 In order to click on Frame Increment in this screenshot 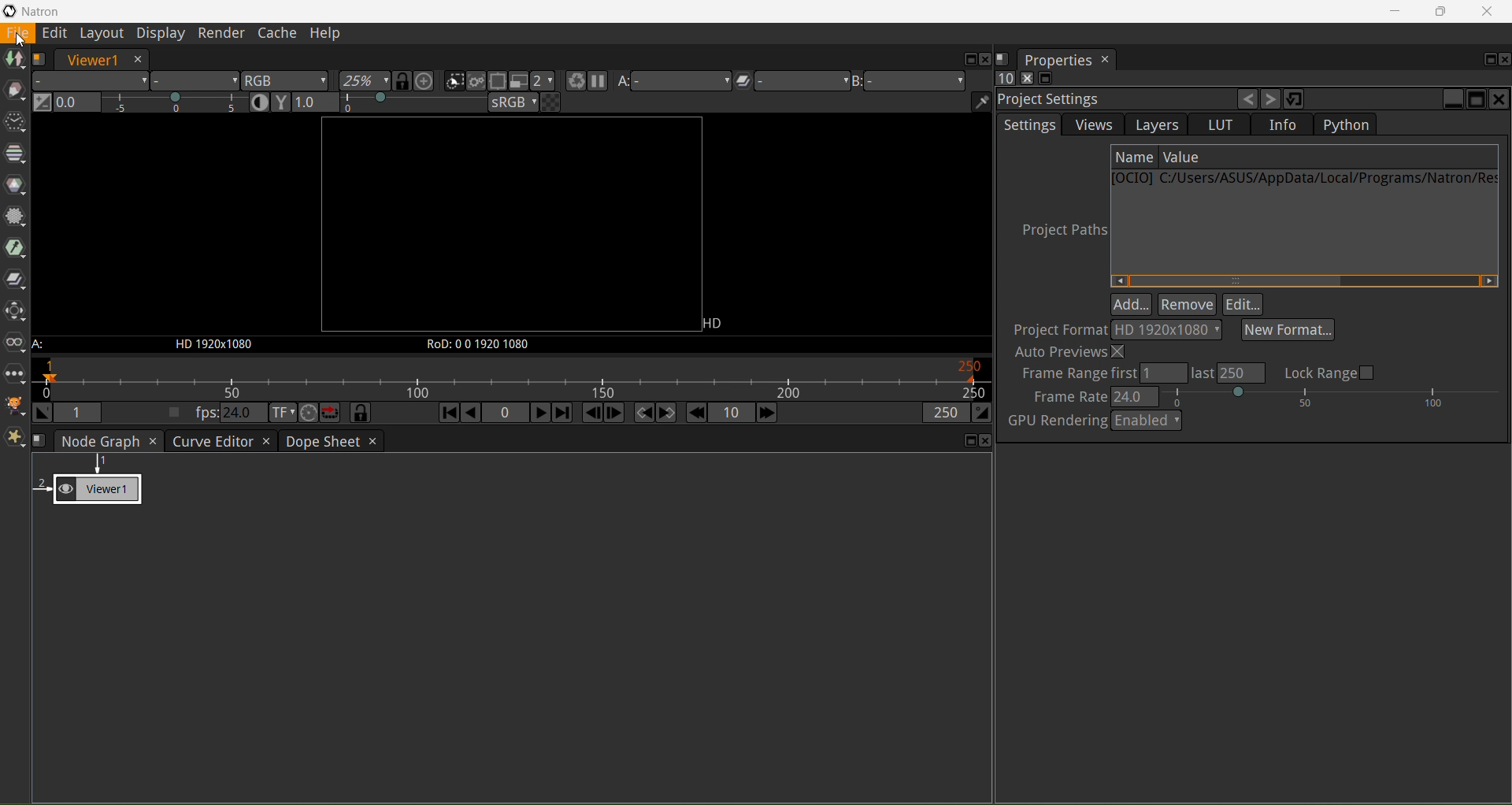, I will do `click(730, 414)`.